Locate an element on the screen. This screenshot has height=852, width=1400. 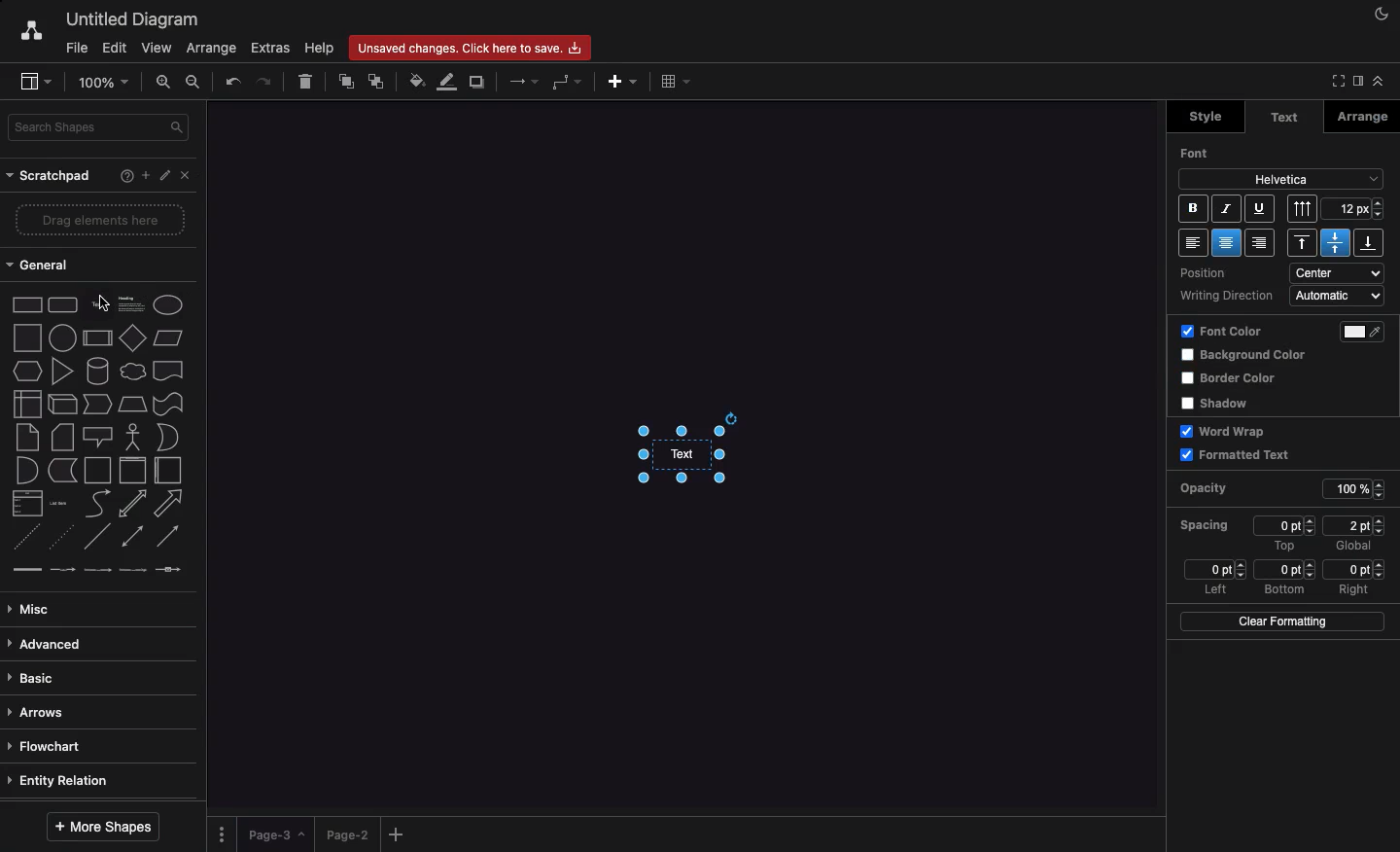
View is located at coordinates (155, 45).